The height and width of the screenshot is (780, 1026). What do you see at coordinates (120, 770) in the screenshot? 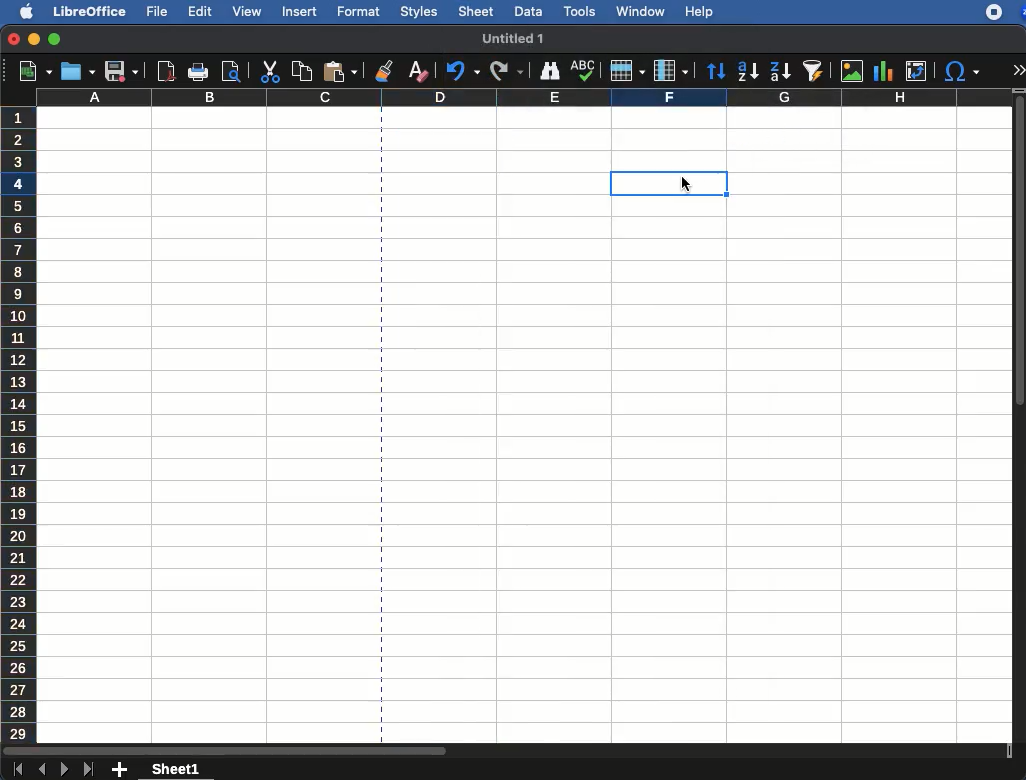
I see `add` at bounding box center [120, 770].